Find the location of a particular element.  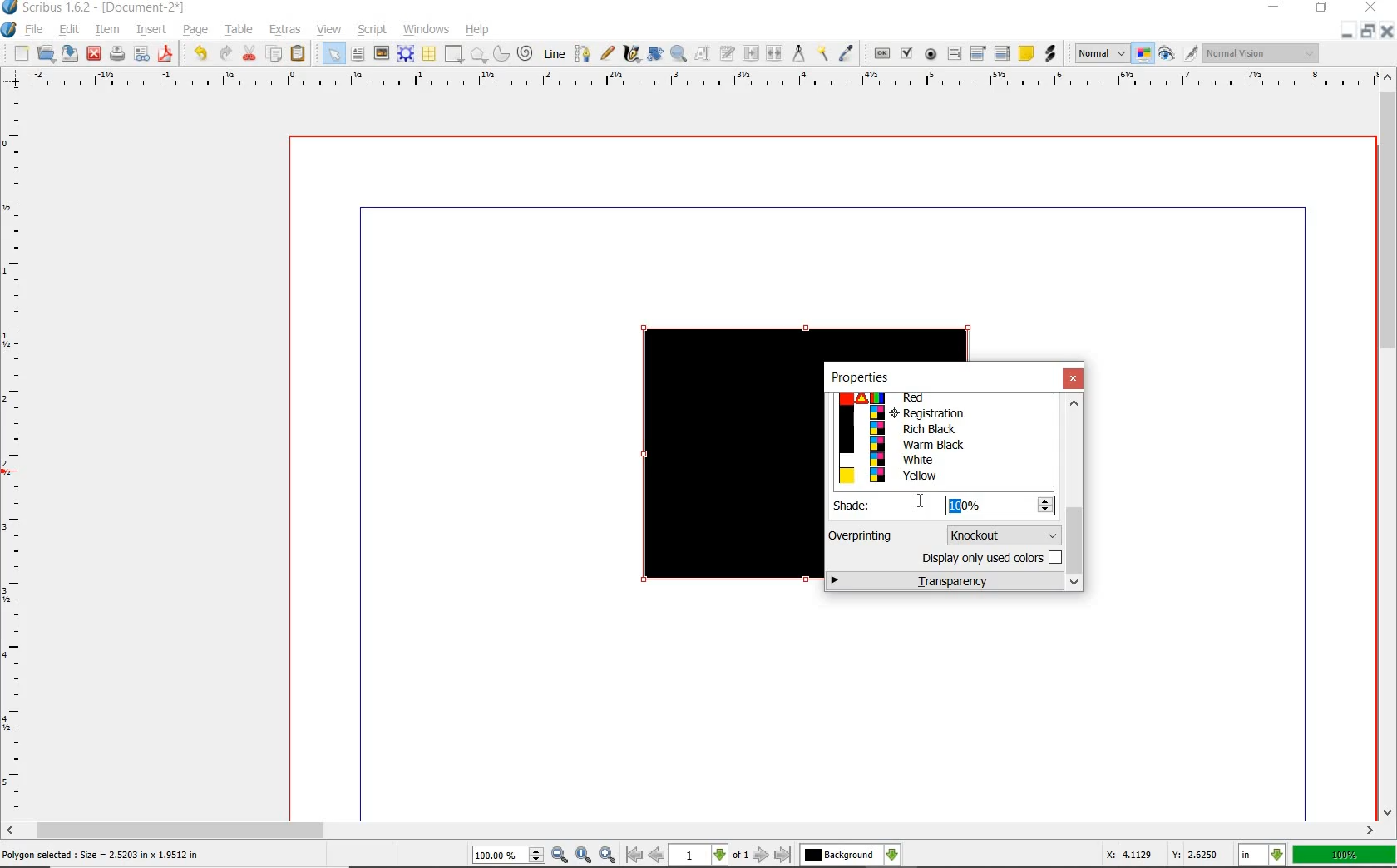

edit content of frame is located at coordinates (701, 54).